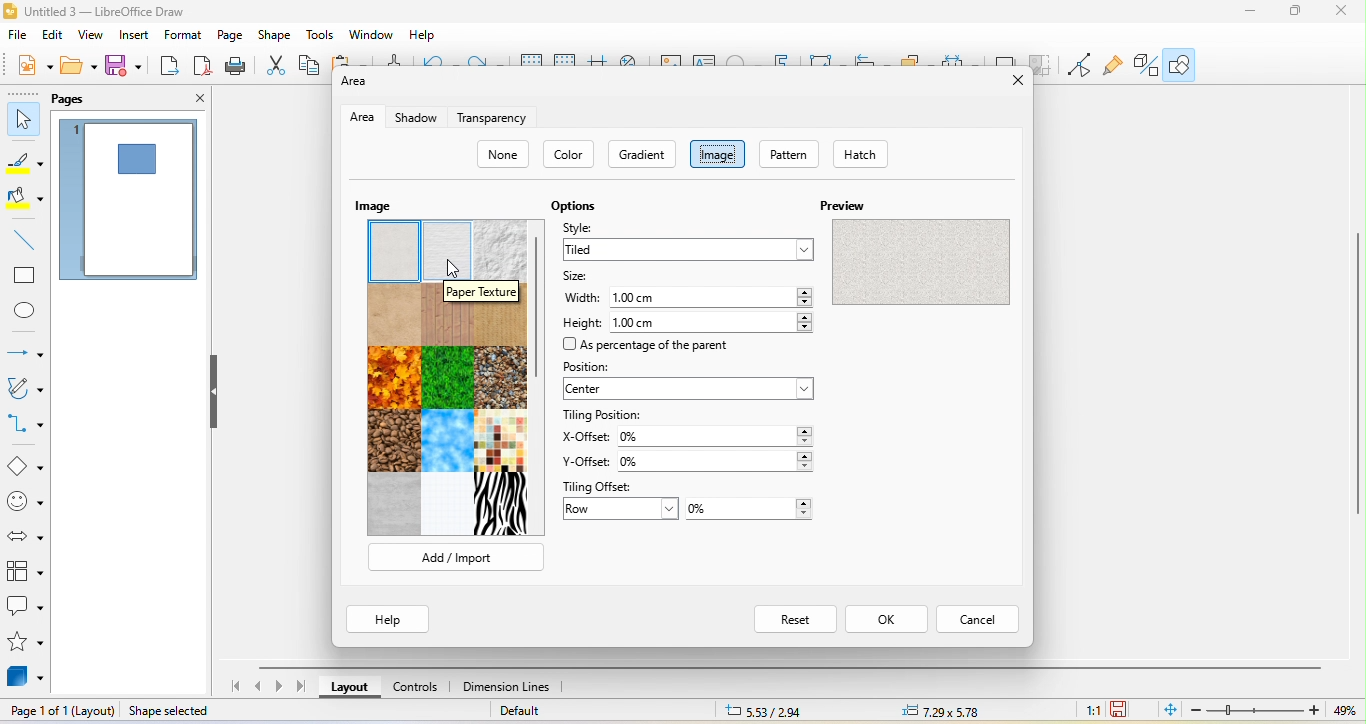  I want to click on fontwork text, so click(785, 58).